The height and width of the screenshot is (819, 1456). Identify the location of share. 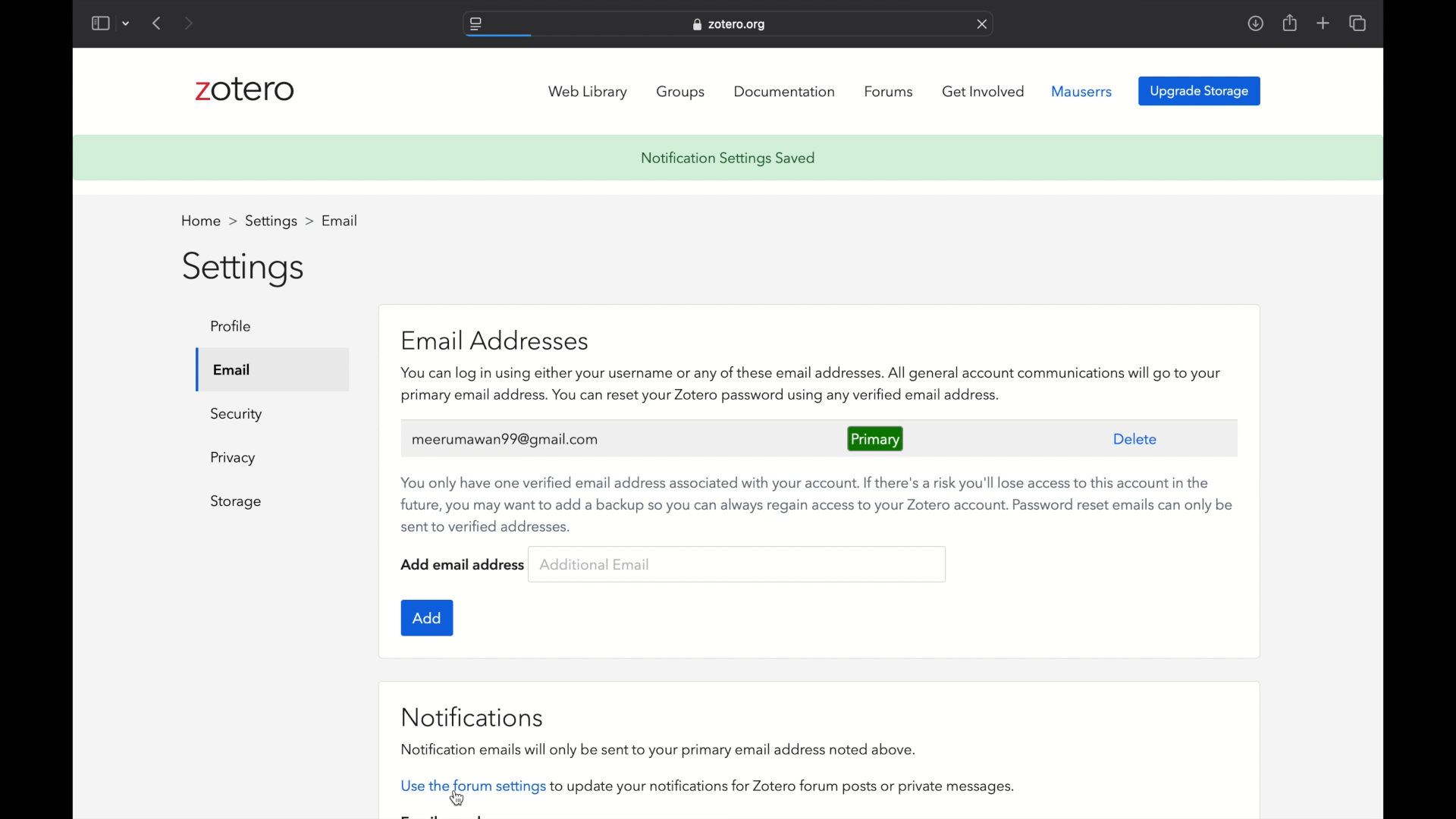
(1291, 24).